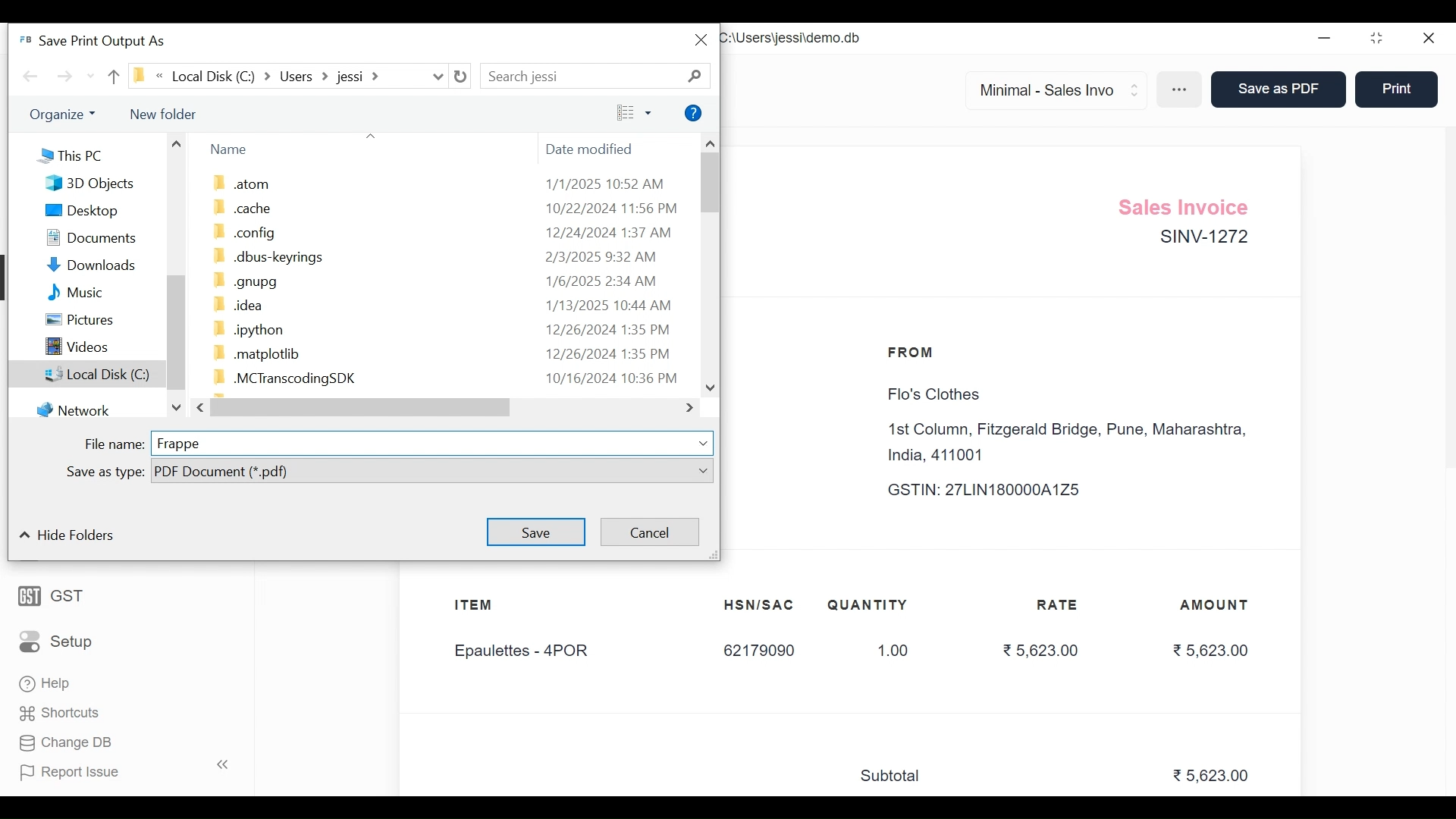 The height and width of the screenshot is (819, 1456). I want to click on Sales Invoice, so click(1188, 205).